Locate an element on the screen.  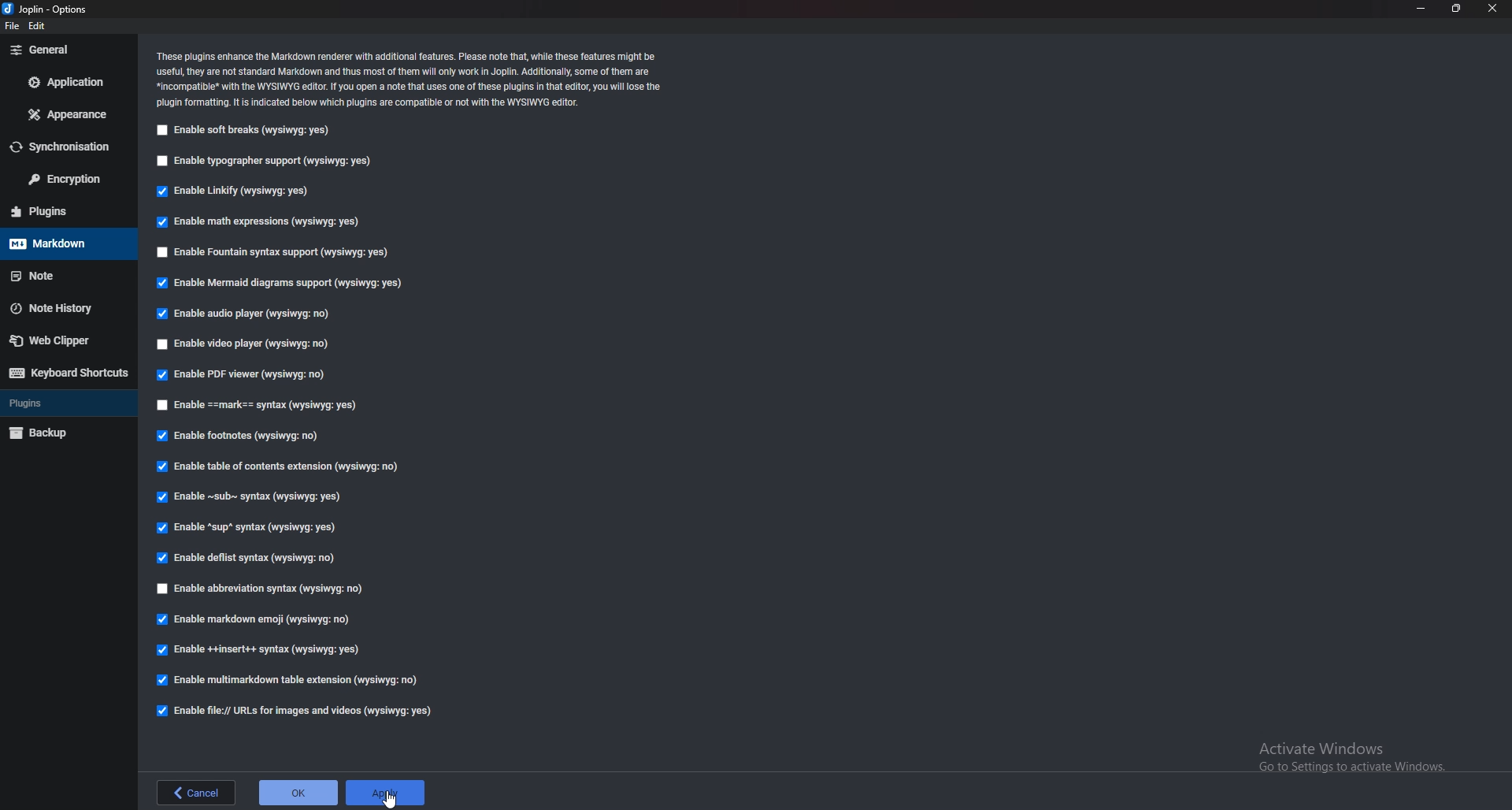
enable deflist syntax is located at coordinates (248, 559).